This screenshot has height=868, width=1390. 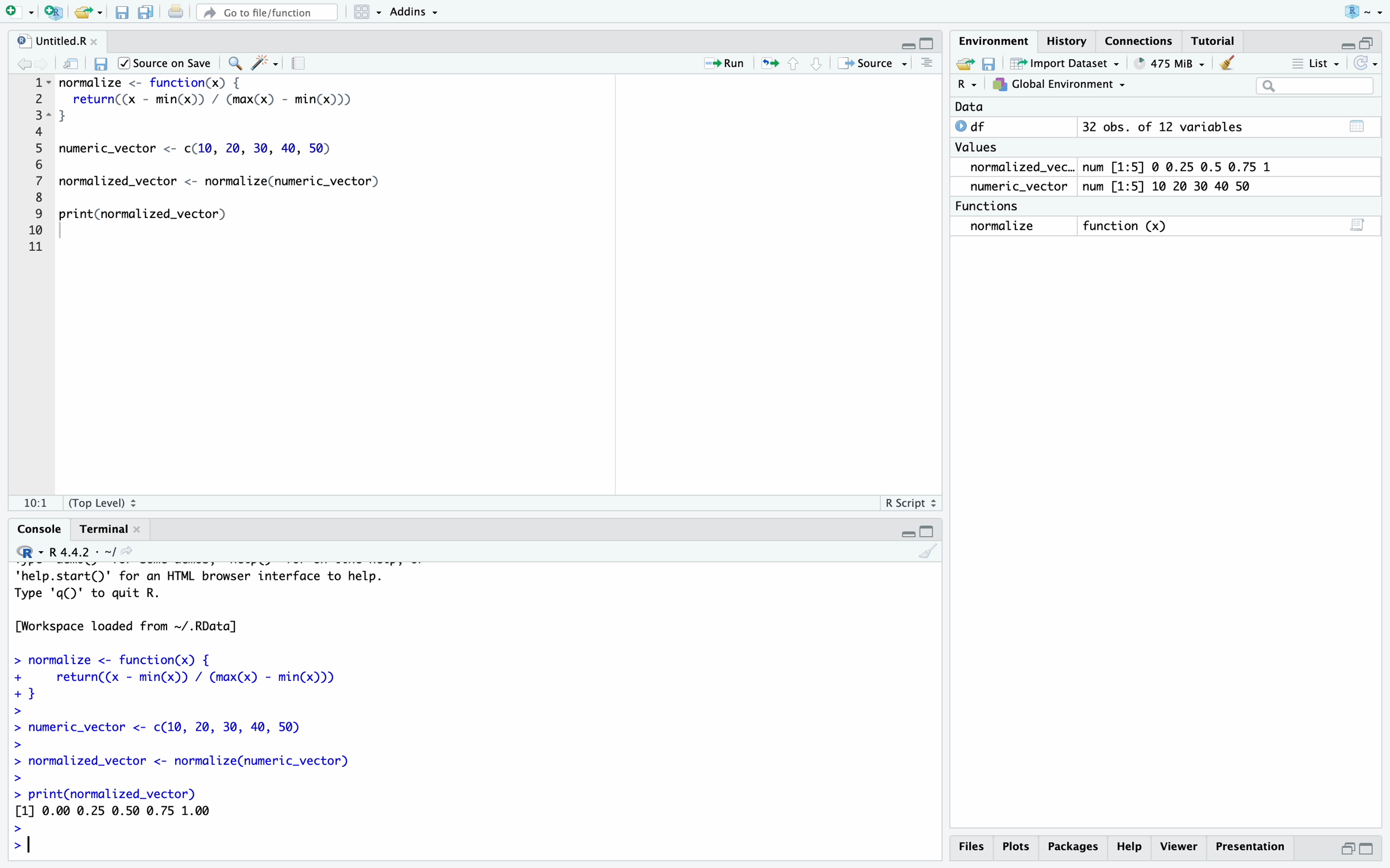 I want to click on 103kib used by R session (Source: Windows System), so click(x=1168, y=64).